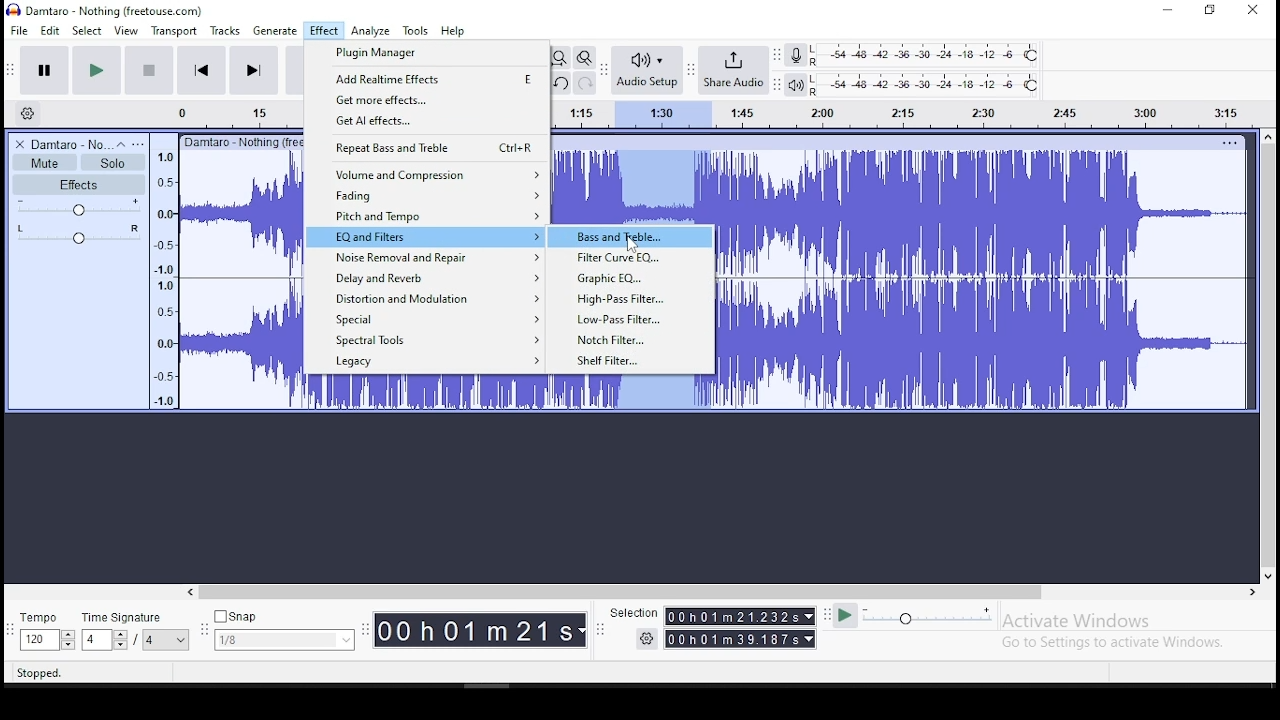 Image resolution: width=1280 pixels, height=720 pixels. What do you see at coordinates (148, 69) in the screenshot?
I see `stop` at bounding box center [148, 69].